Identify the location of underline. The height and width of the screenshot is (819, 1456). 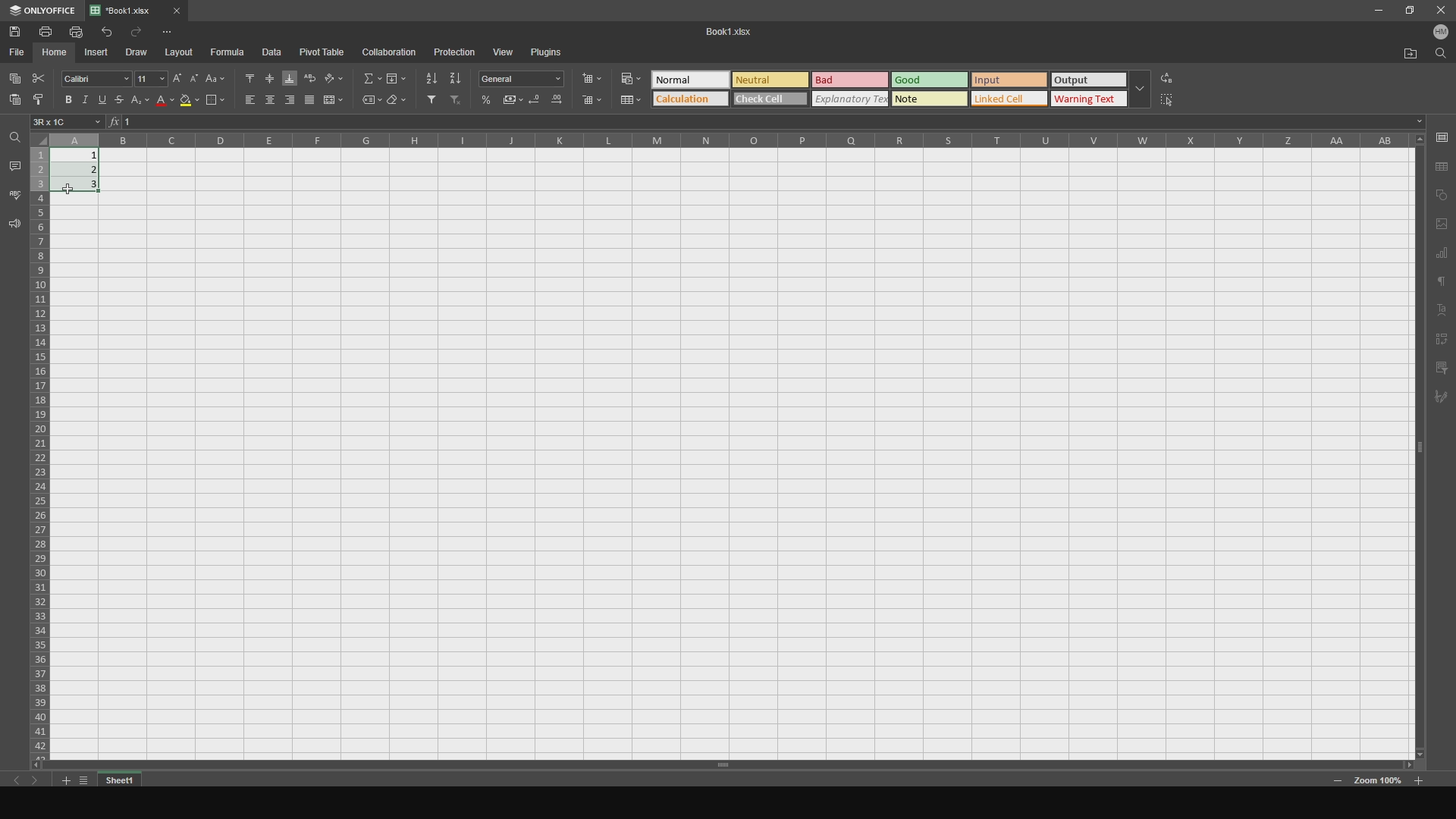
(106, 101).